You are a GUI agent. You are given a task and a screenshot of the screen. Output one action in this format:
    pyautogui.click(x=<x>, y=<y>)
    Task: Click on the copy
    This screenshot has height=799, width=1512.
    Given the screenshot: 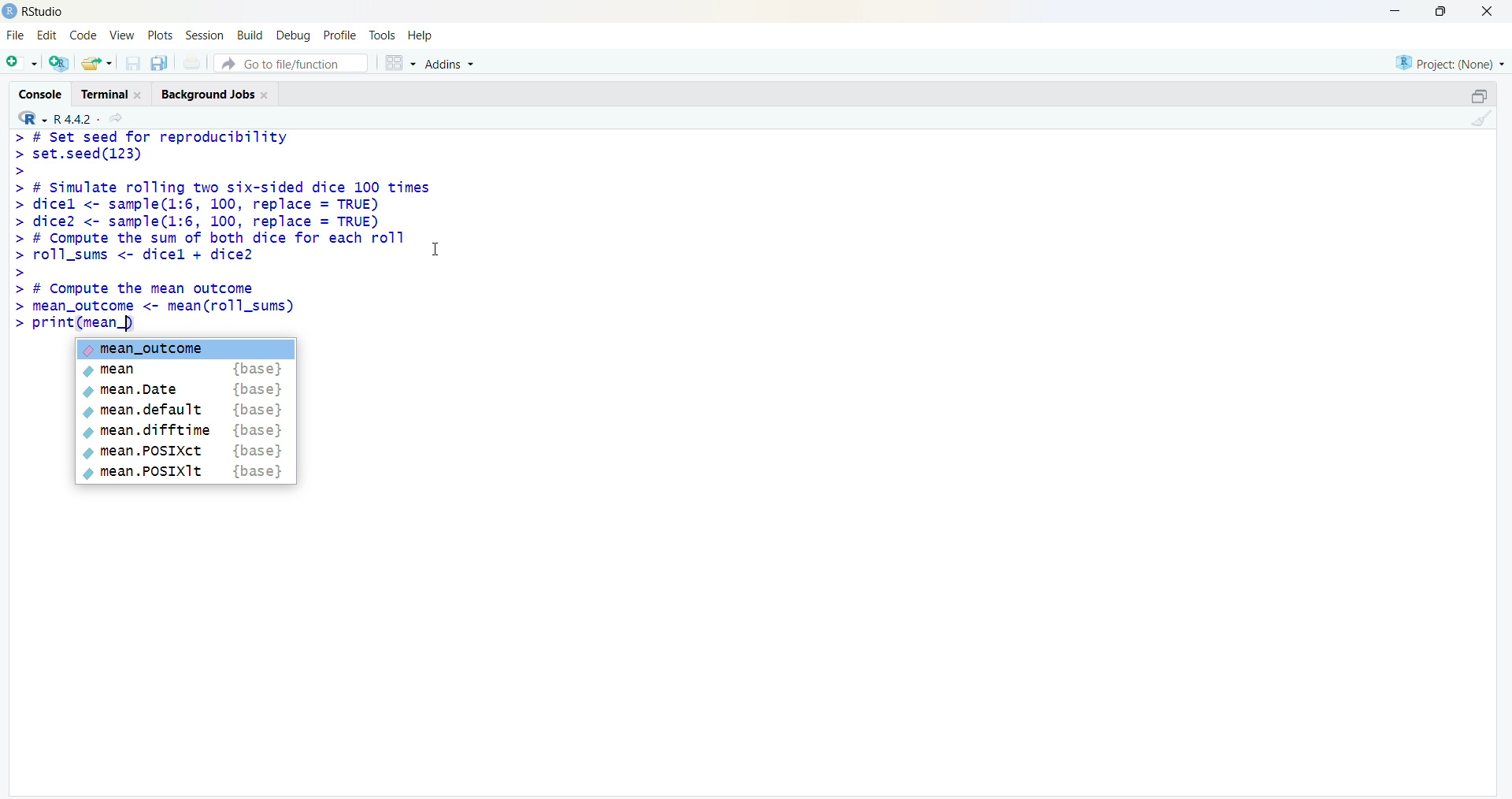 What is the action you would take?
    pyautogui.click(x=159, y=62)
    